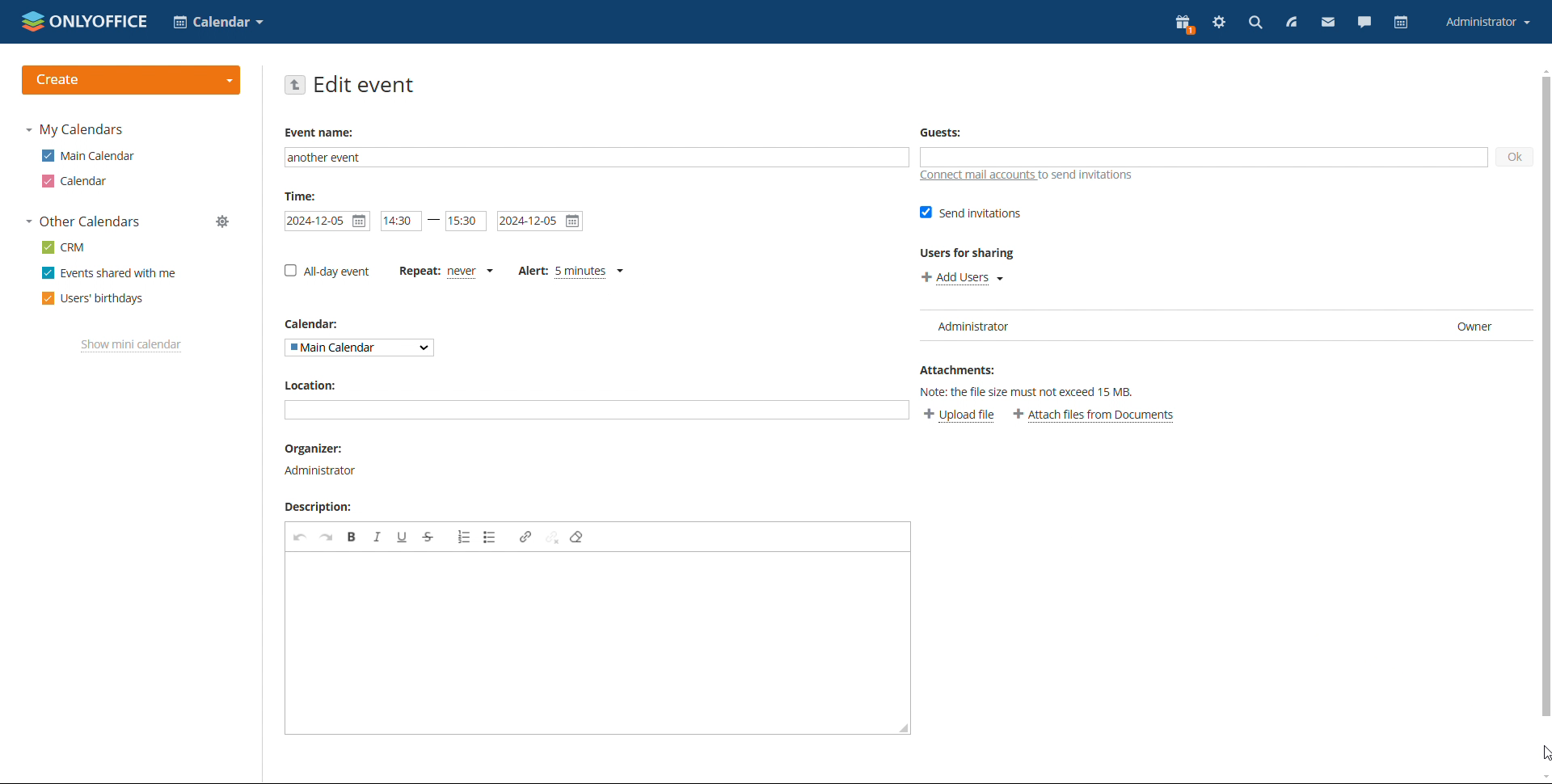  Describe the element at coordinates (403, 537) in the screenshot. I see `underline` at that location.